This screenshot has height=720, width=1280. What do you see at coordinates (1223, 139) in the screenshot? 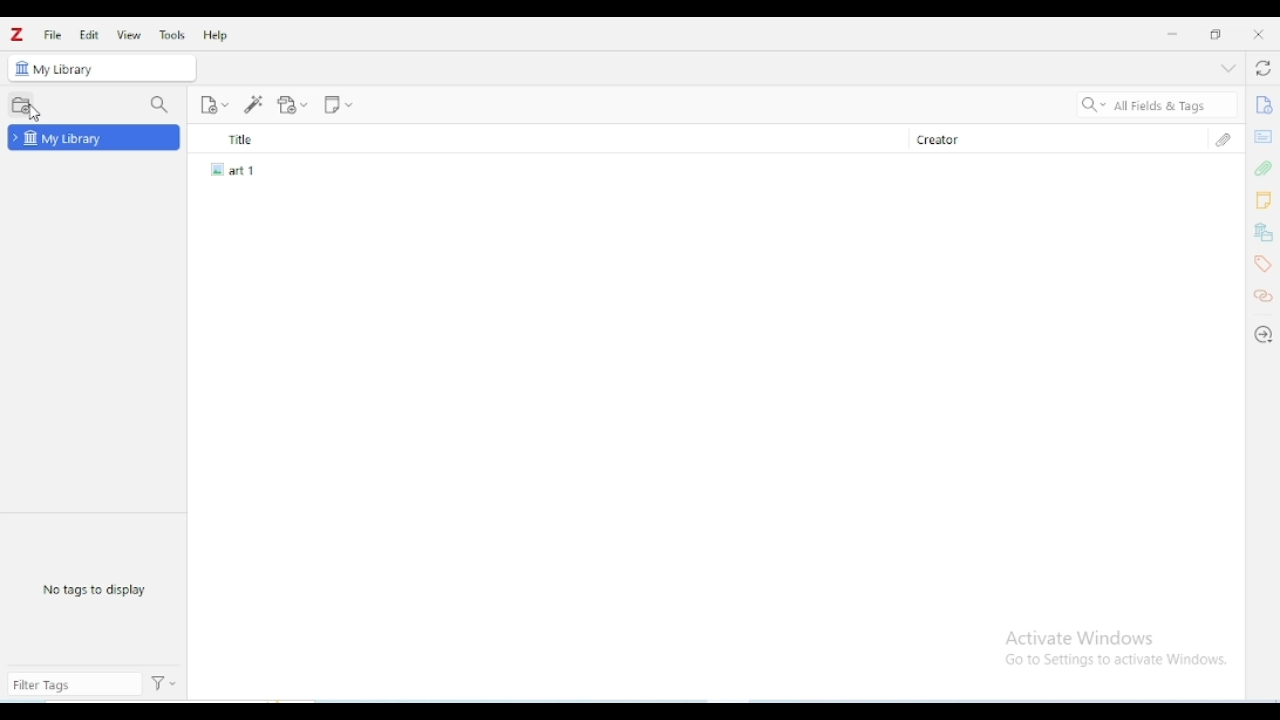
I see `attachments` at bounding box center [1223, 139].